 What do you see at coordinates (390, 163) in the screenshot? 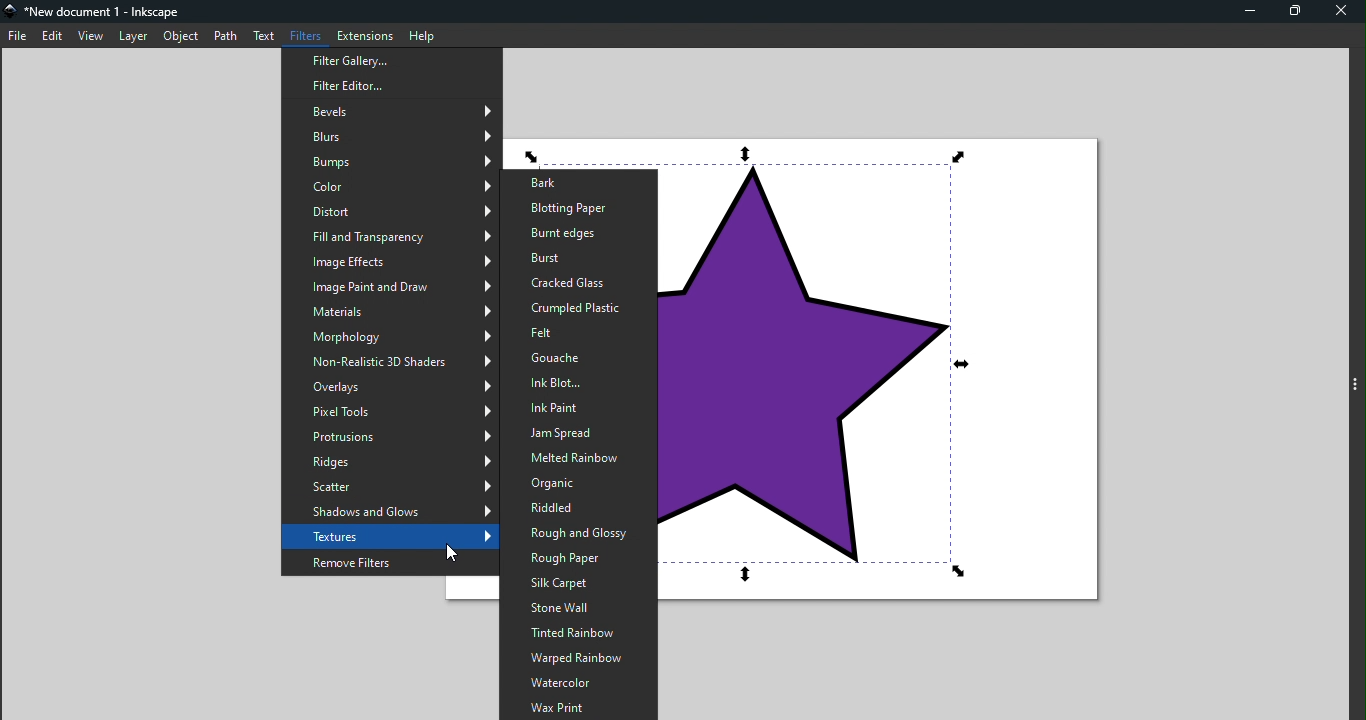
I see `Bumps` at bounding box center [390, 163].